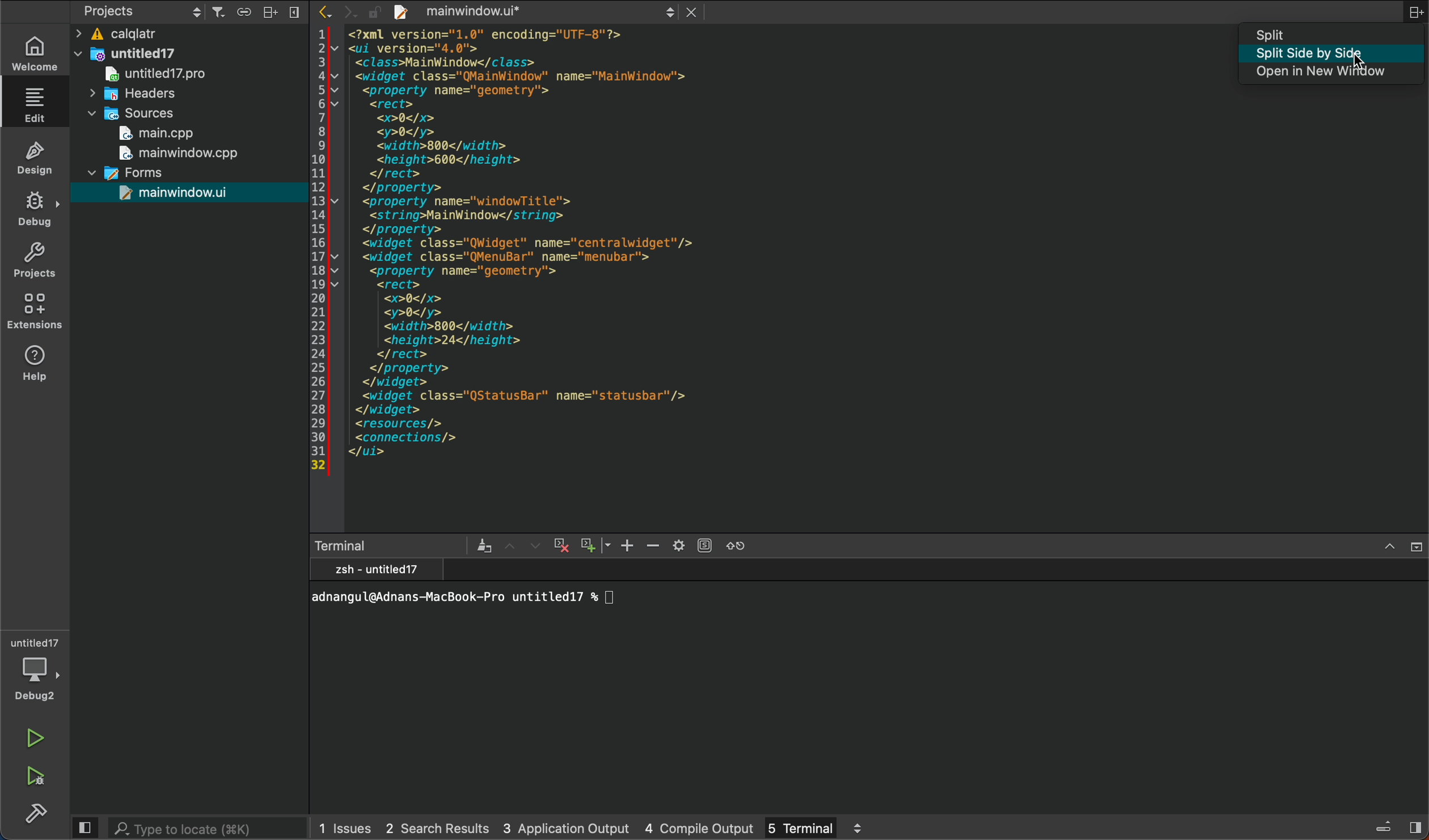 The height and width of the screenshot is (840, 1429). What do you see at coordinates (594, 544) in the screenshot?
I see `zoom out` at bounding box center [594, 544].